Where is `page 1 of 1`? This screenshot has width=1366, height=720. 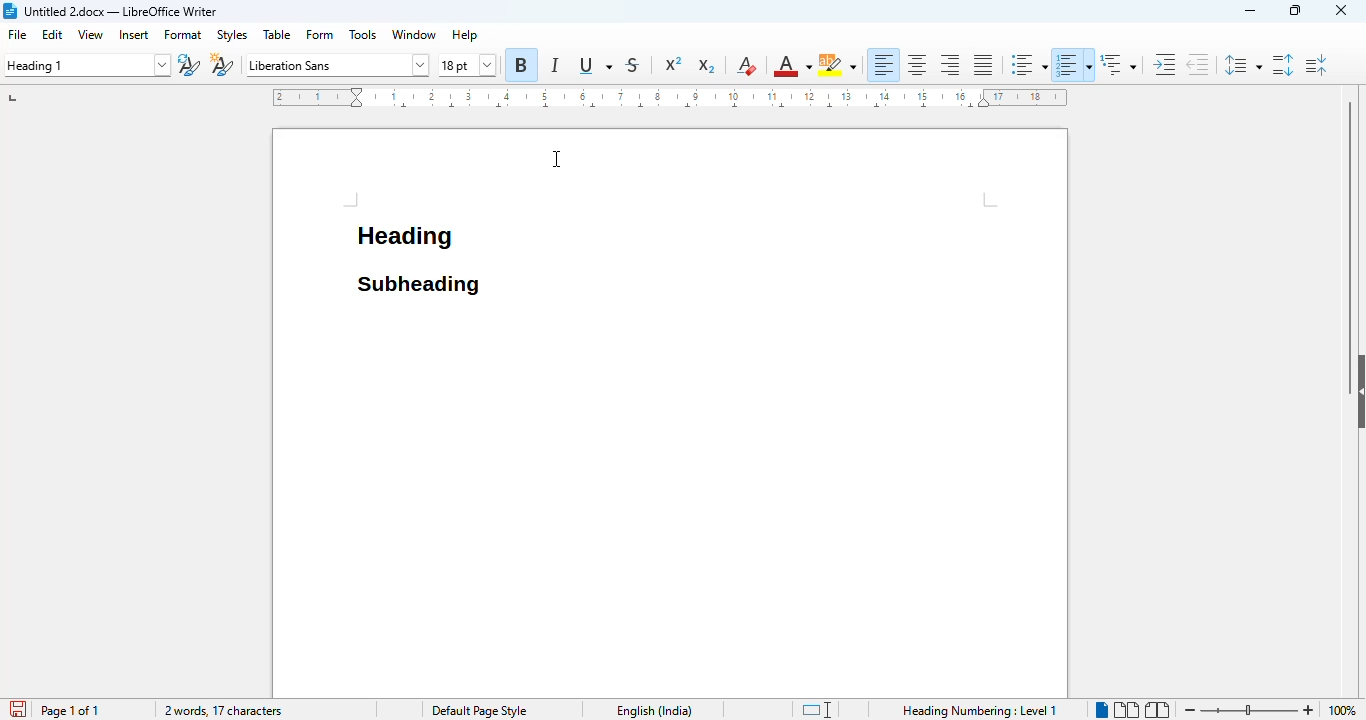 page 1 of 1 is located at coordinates (69, 710).